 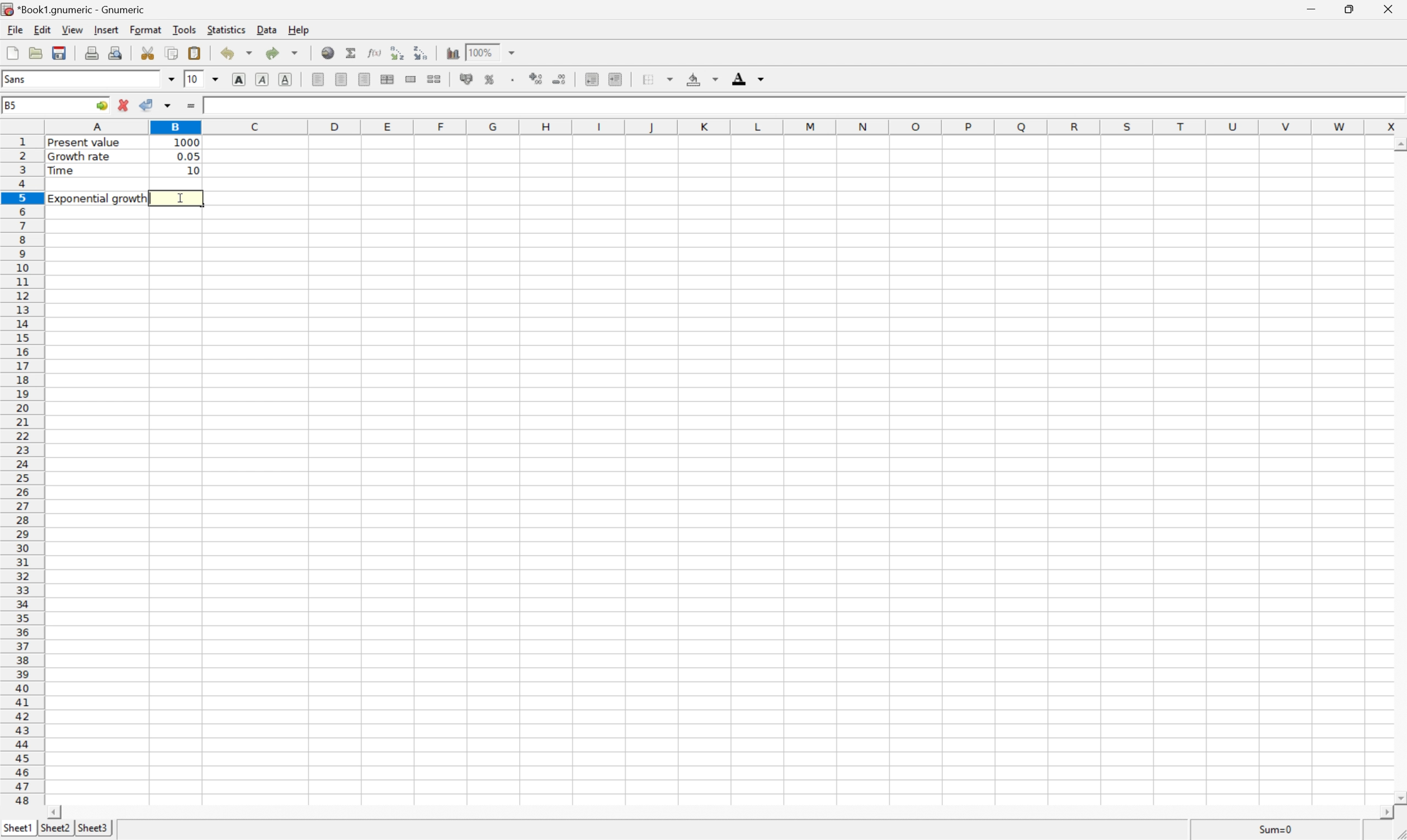 I want to click on 0.05, so click(x=187, y=156).